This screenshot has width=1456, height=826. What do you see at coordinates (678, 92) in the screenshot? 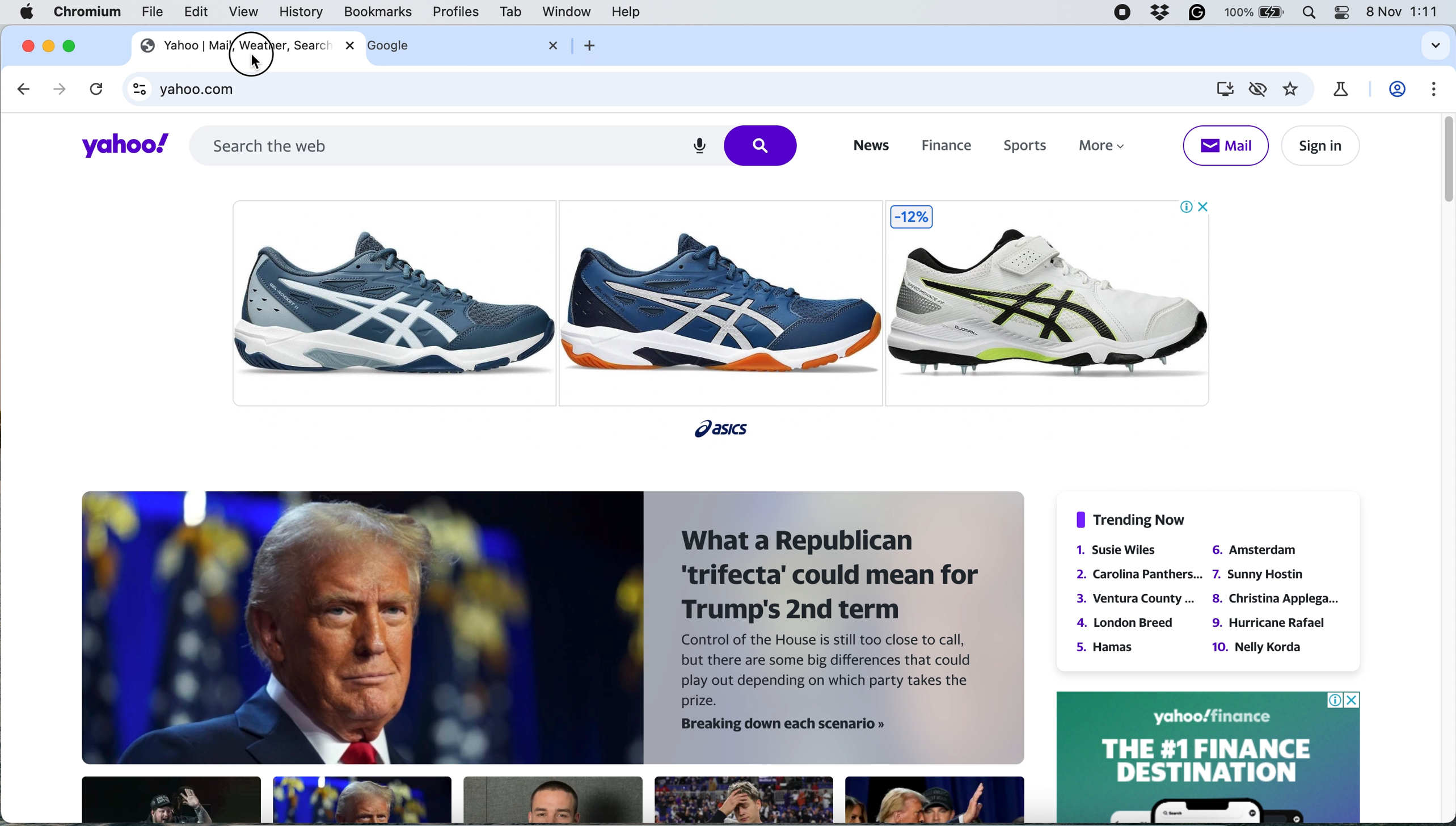
I see `yahoo.com` at bounding box center [678, 92].